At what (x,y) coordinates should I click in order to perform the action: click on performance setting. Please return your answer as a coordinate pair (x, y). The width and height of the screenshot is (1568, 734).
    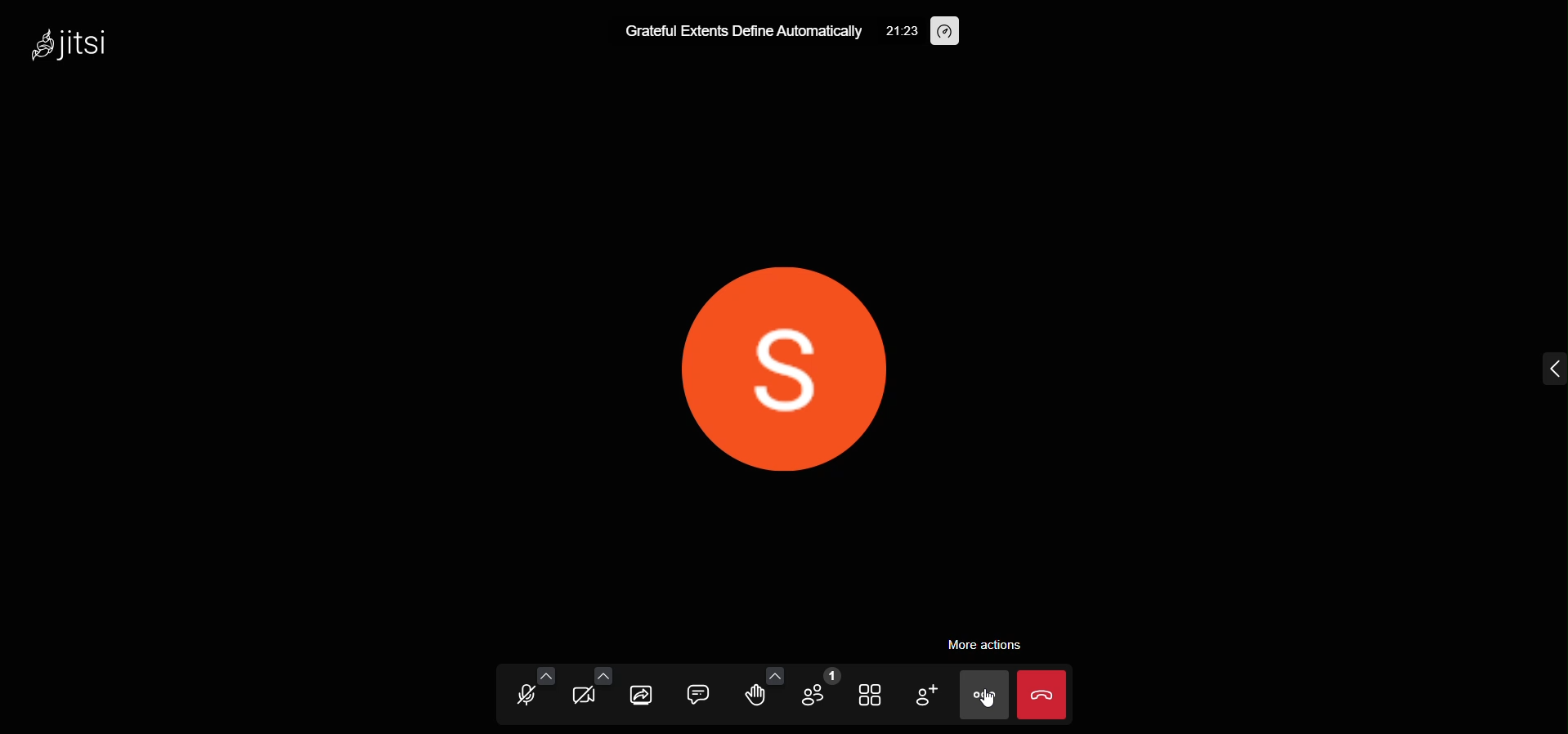
    Looking at the image, I should click on (948, 30).